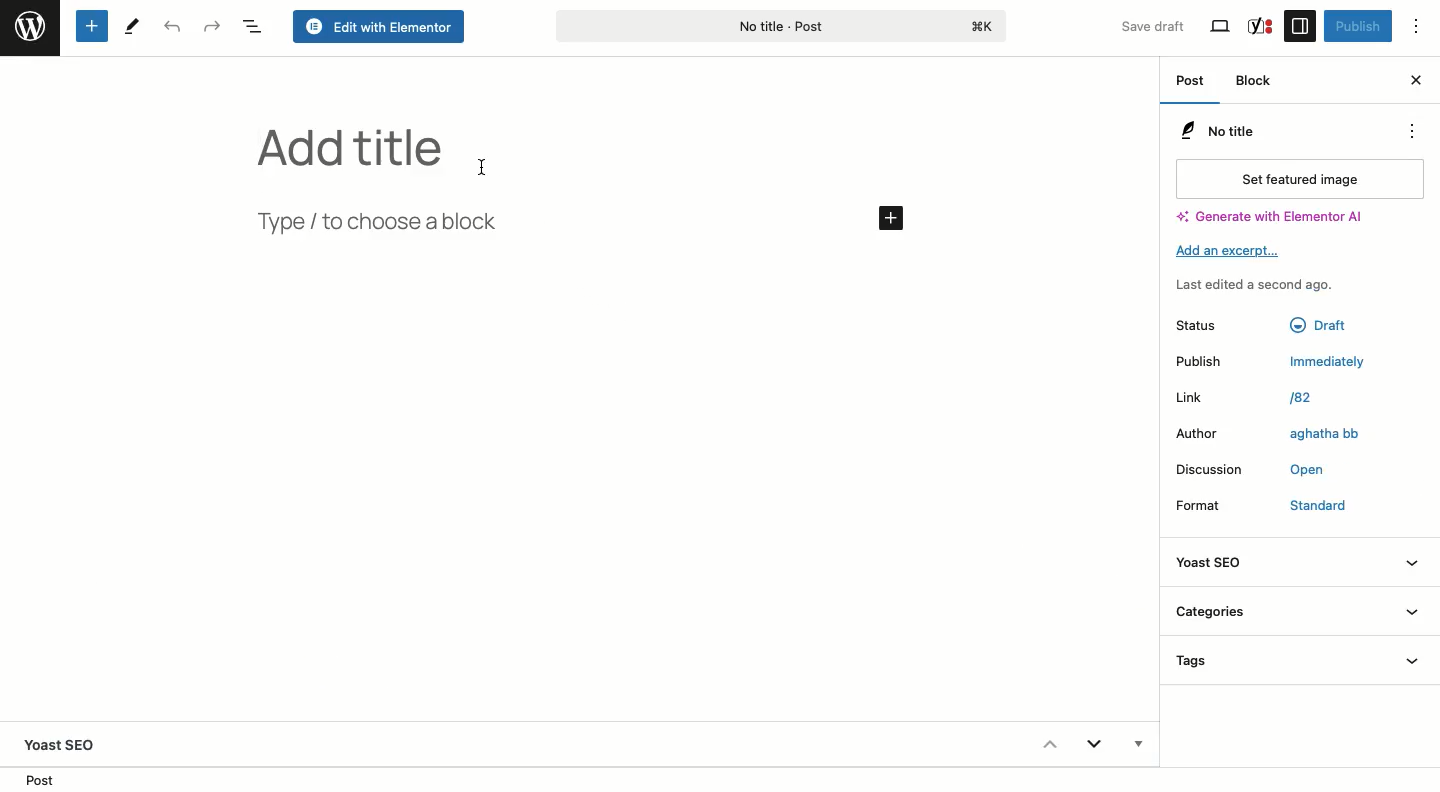  I want to click on Standard, so click(1310, 505).